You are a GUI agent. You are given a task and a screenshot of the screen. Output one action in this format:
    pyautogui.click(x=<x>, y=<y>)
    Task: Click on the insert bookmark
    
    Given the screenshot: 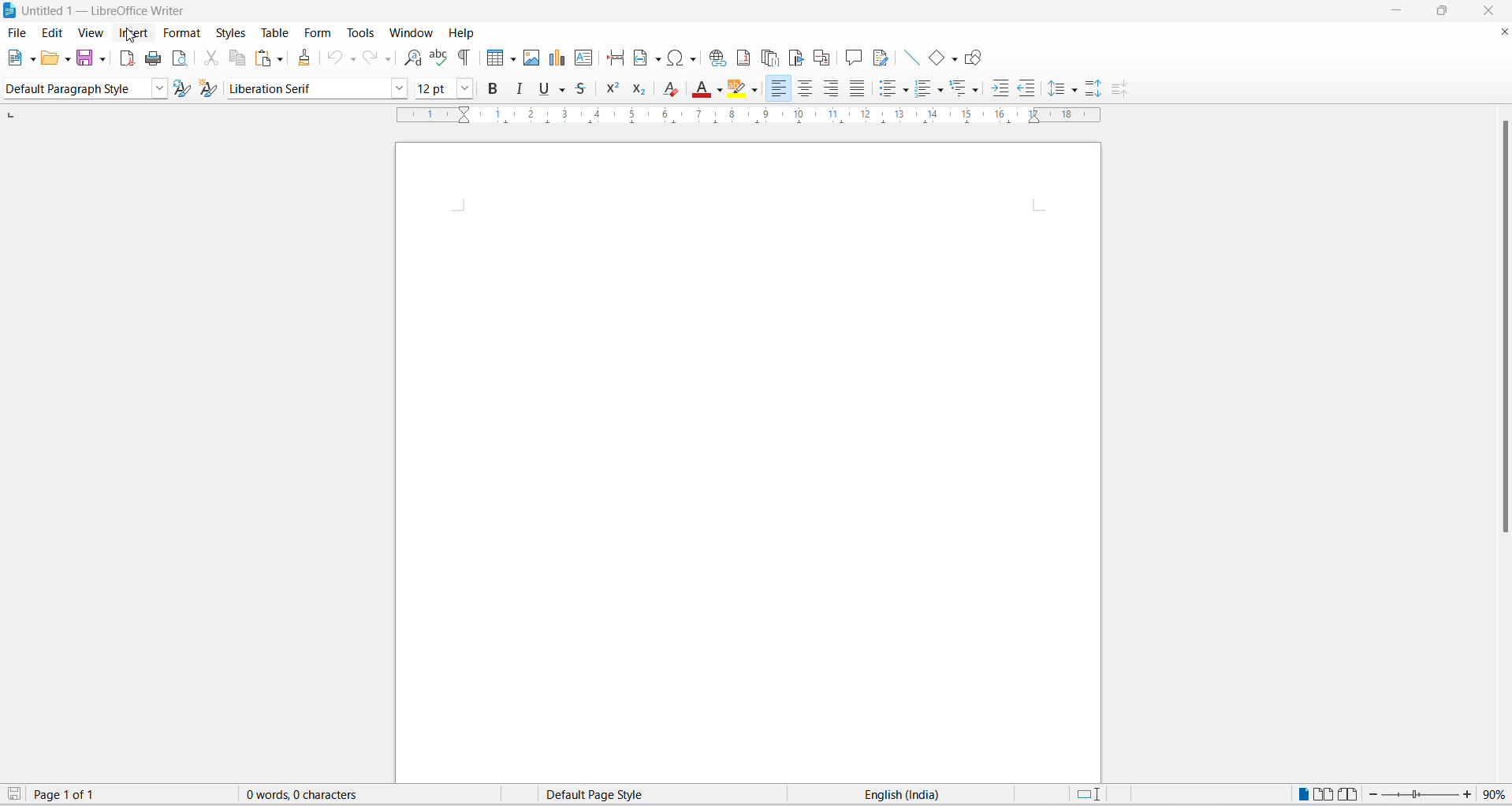 What is the action you would take?
    pyautogui.click(x=795, y=55)
    